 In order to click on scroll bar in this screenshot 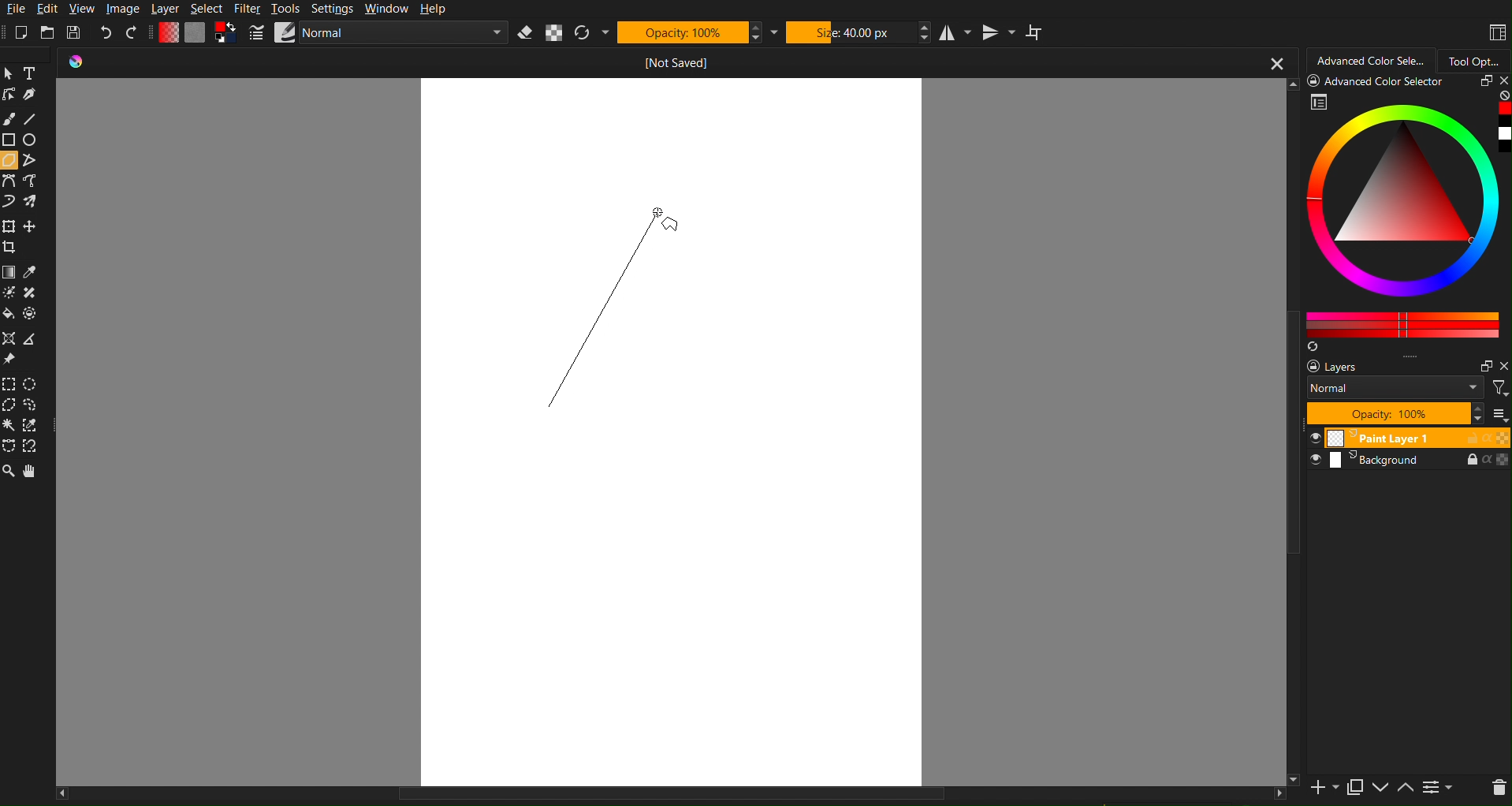, I will do `click(670, 797)`.